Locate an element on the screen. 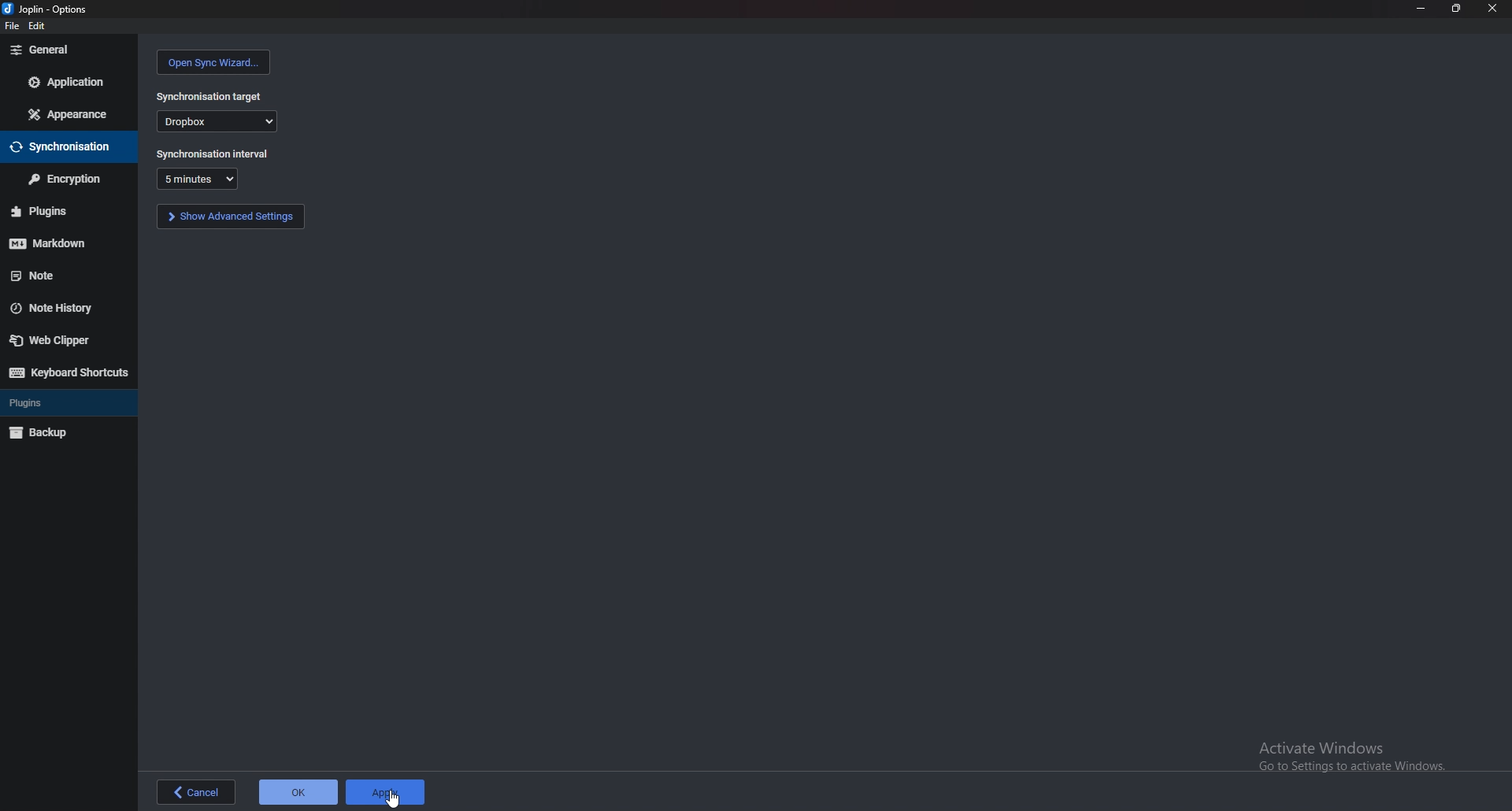 The width and height of the screenshot is (1512, 811). markdown is located at coordinates (61, 243).